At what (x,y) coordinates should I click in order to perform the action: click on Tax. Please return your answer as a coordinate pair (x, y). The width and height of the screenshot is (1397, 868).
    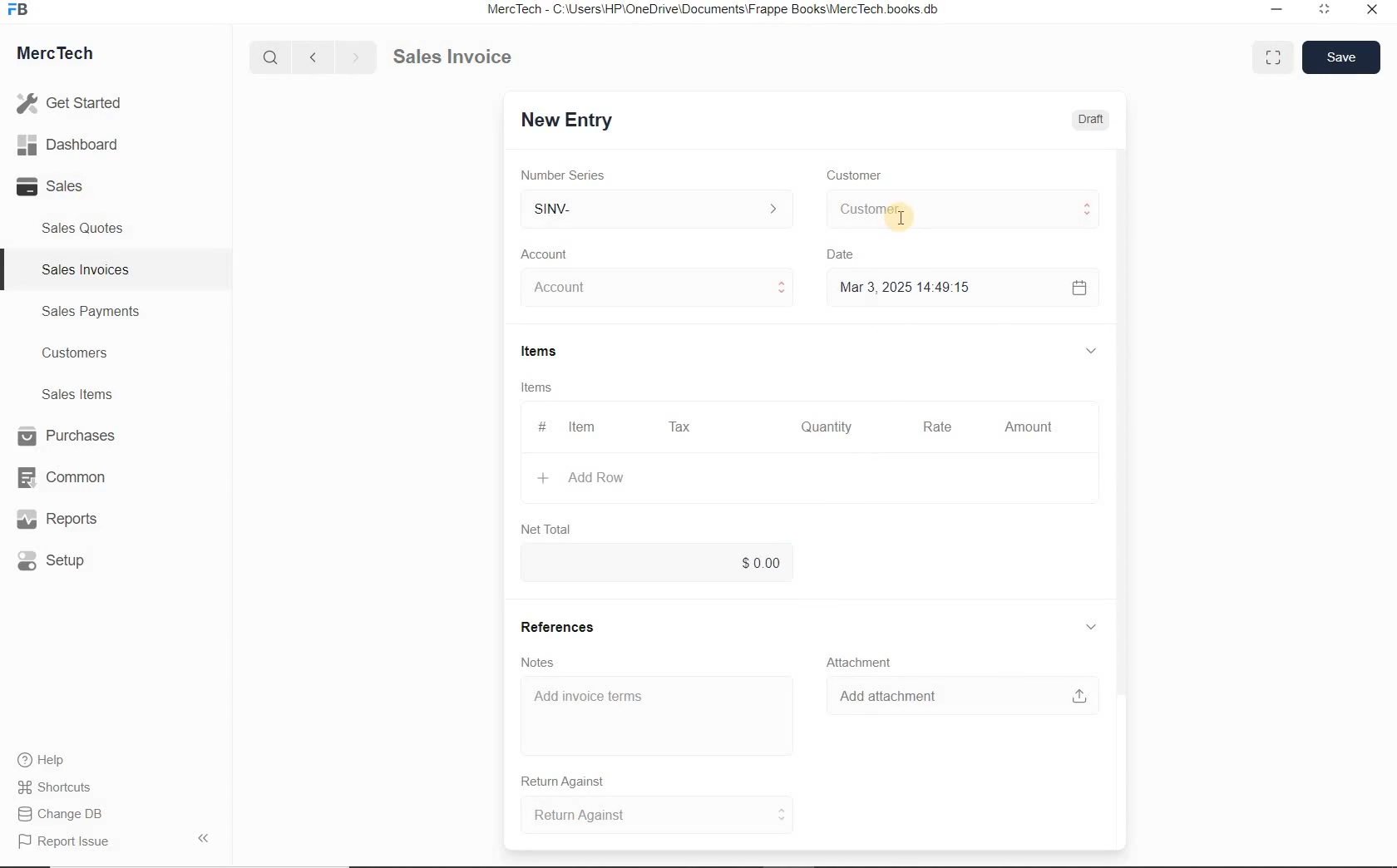
    Looking at the image, I should click on (680, 426).